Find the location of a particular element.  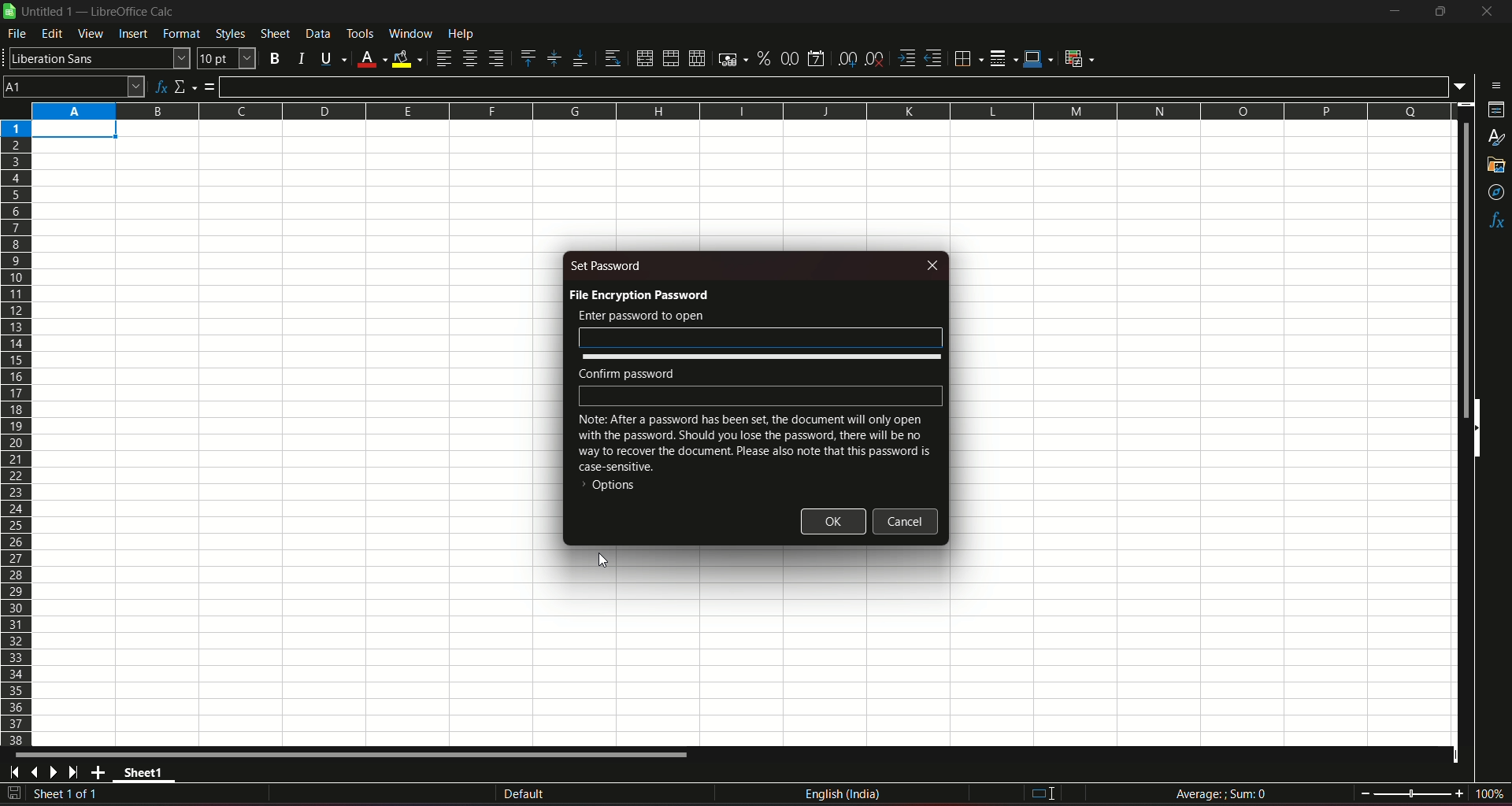

border color is located at coordinates (1039, 60).